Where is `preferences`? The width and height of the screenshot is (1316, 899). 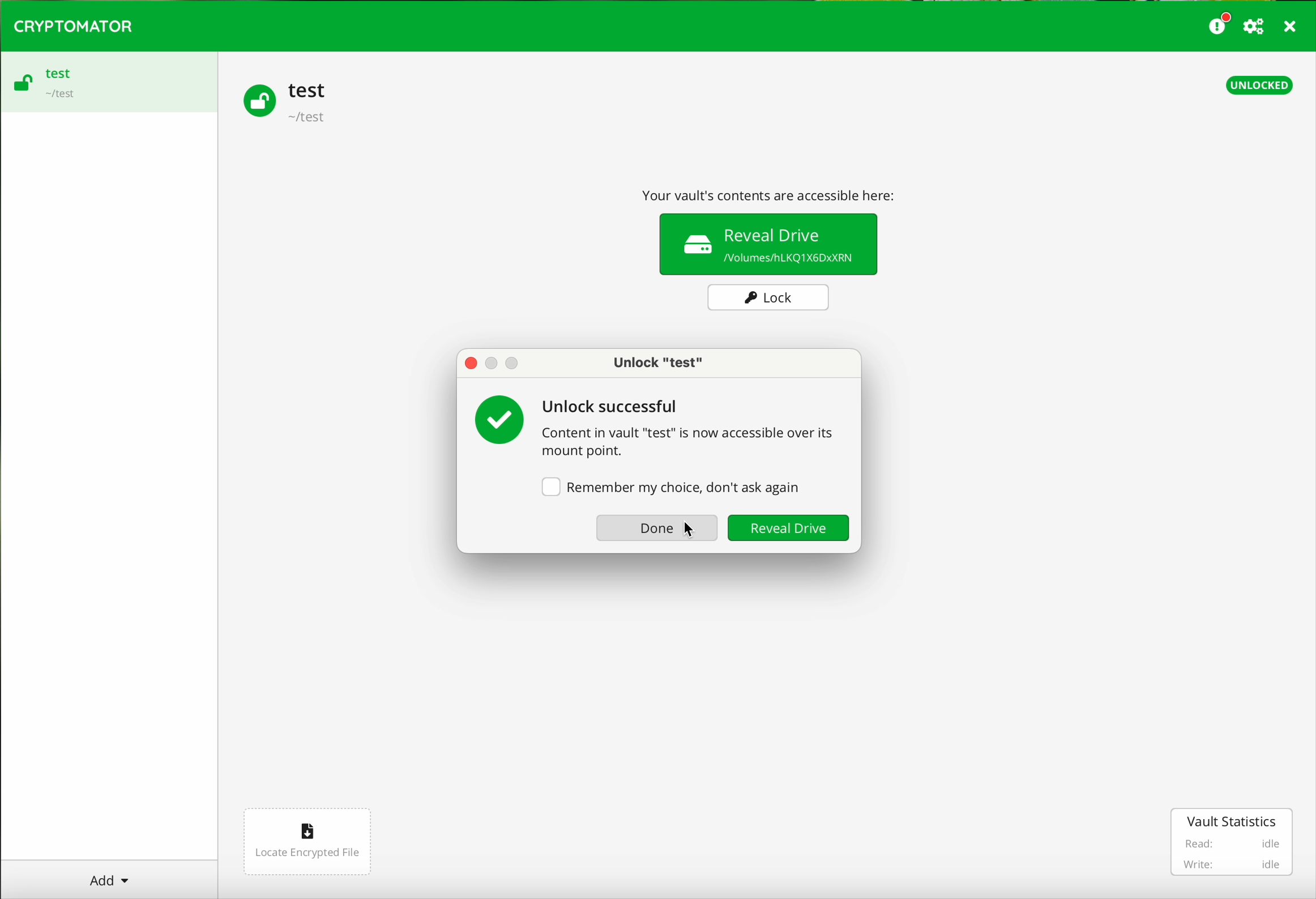
preferences is located at coordinates (1255, 27).